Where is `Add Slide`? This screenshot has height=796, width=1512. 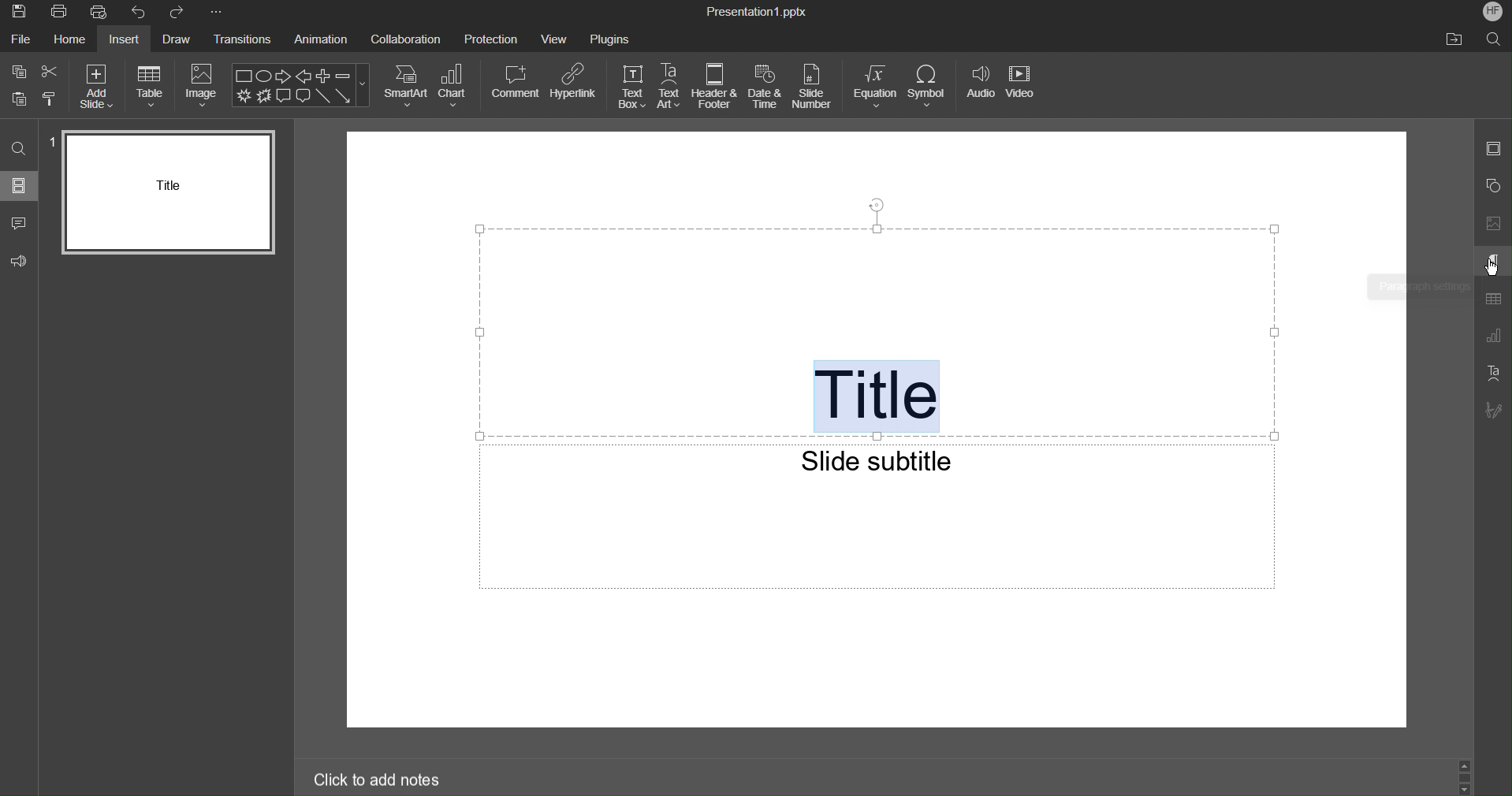 Add Slide is located at coordinates (99, 84).